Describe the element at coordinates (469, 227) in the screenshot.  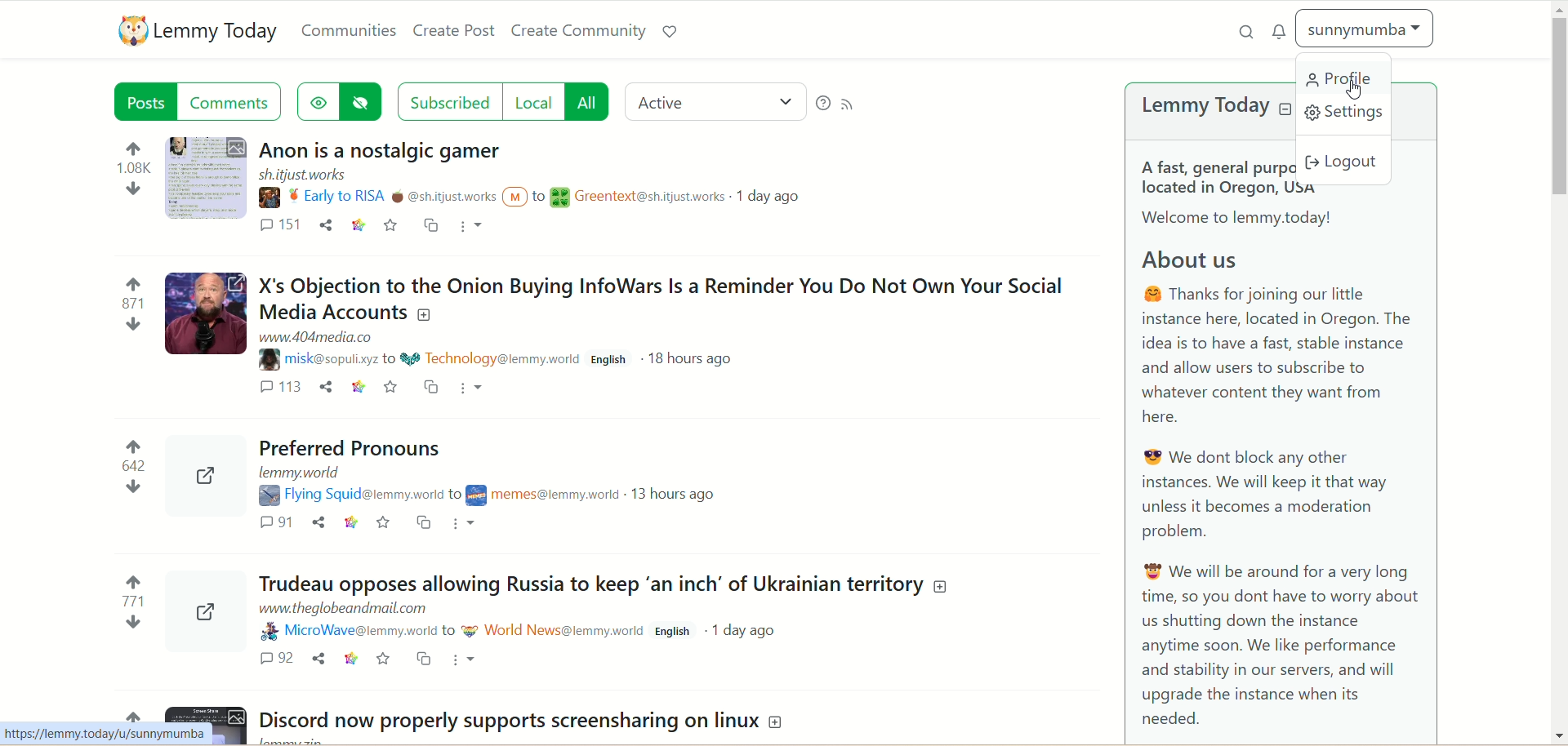
I see `more` at that location.